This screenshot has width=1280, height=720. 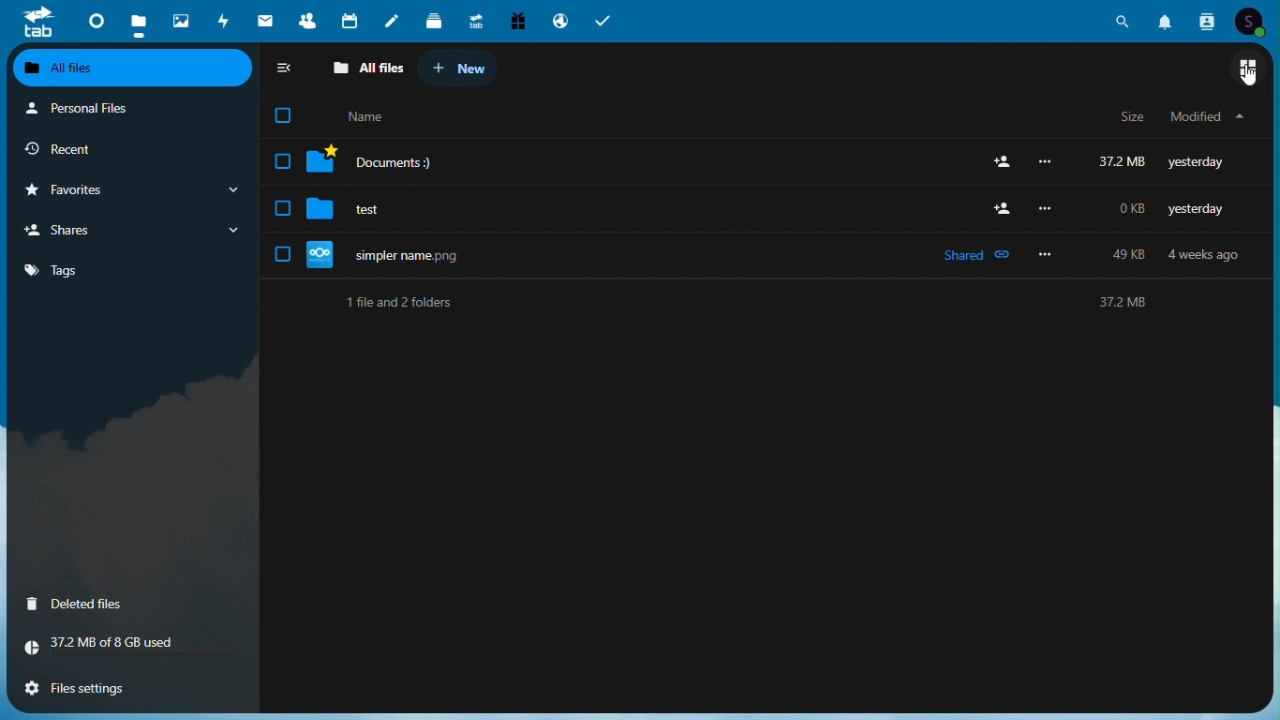 What do you see at coordinates (223, 20) in the screenshot?
I see `Activity` at bounding box center [223, 20].